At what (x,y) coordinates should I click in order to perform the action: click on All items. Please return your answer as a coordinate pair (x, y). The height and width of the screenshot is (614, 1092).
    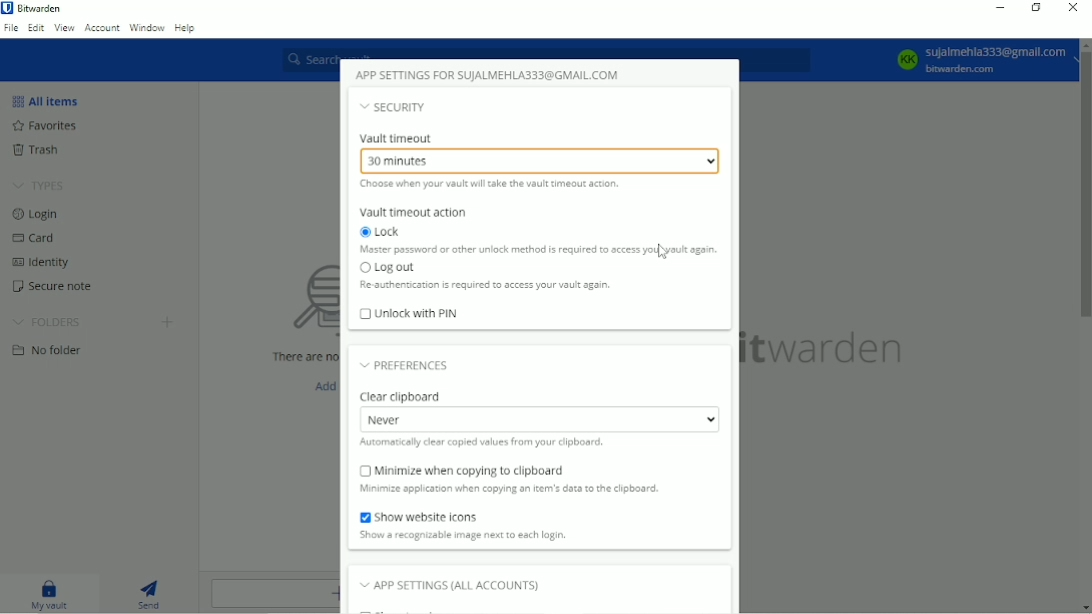
    Looking at the image, I should click on (47, 100).